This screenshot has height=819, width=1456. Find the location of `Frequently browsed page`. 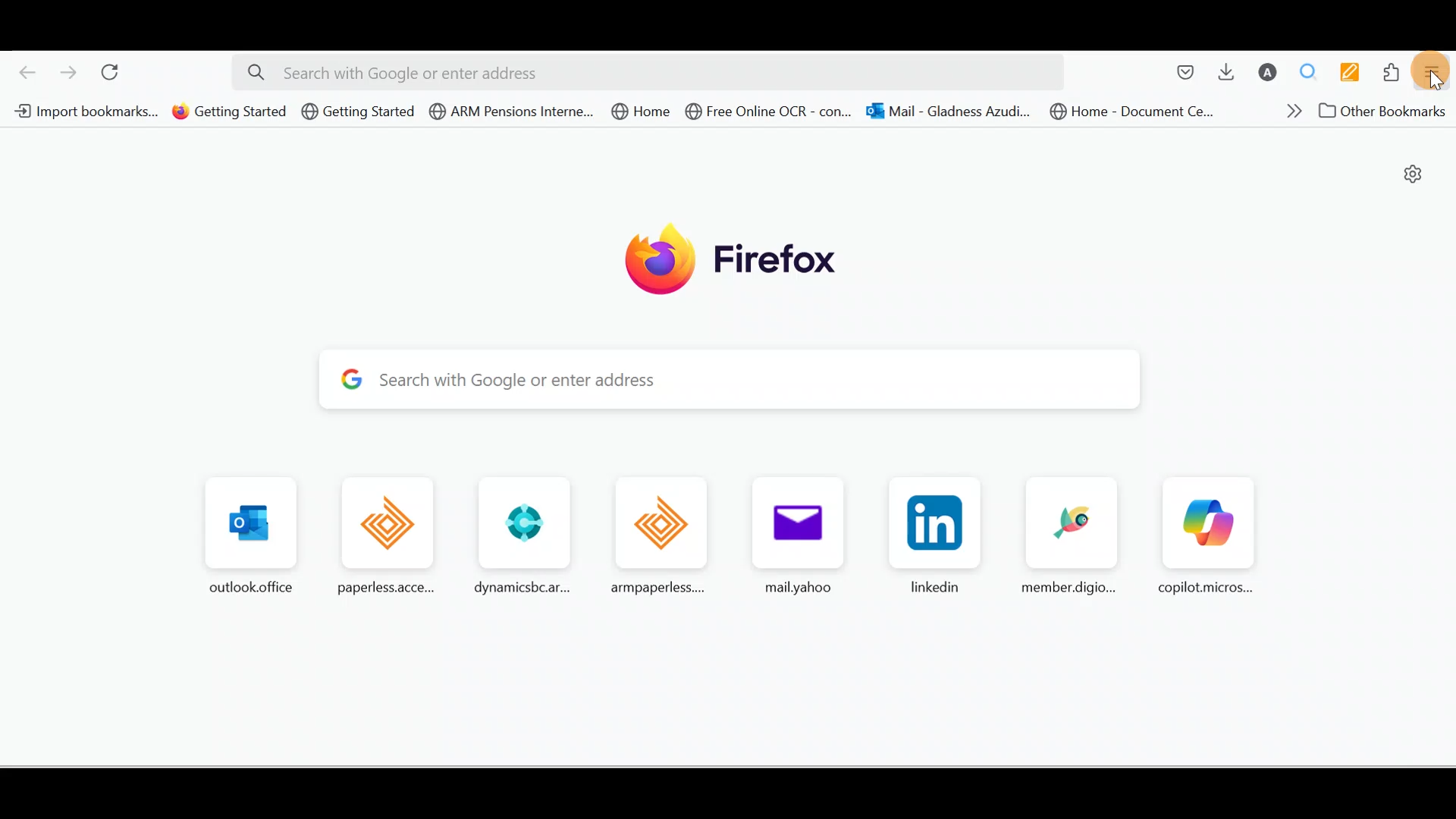

Frequently browsed page is located at coordinates (931, 536).